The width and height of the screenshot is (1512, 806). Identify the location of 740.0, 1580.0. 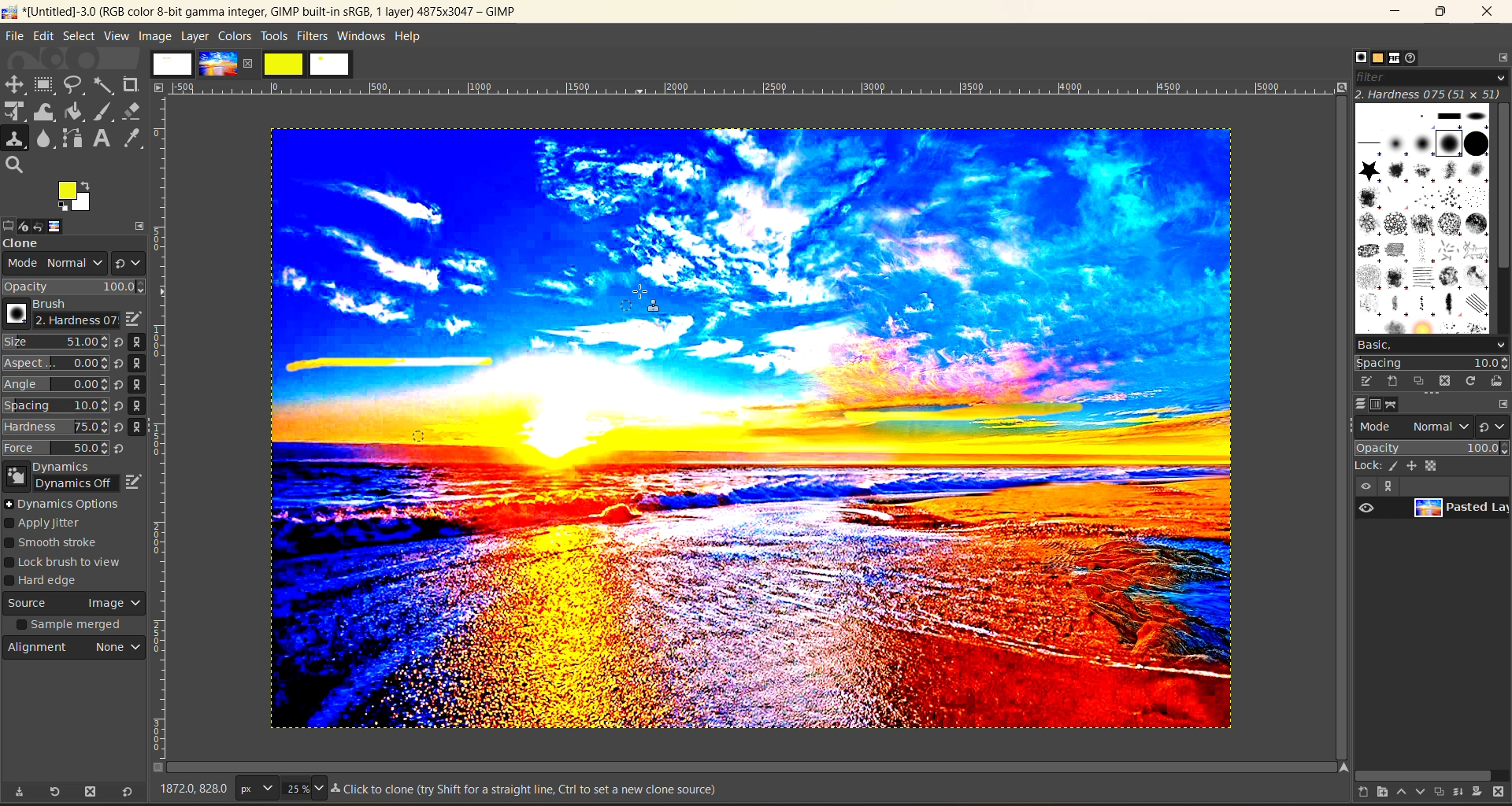
(191, 791).